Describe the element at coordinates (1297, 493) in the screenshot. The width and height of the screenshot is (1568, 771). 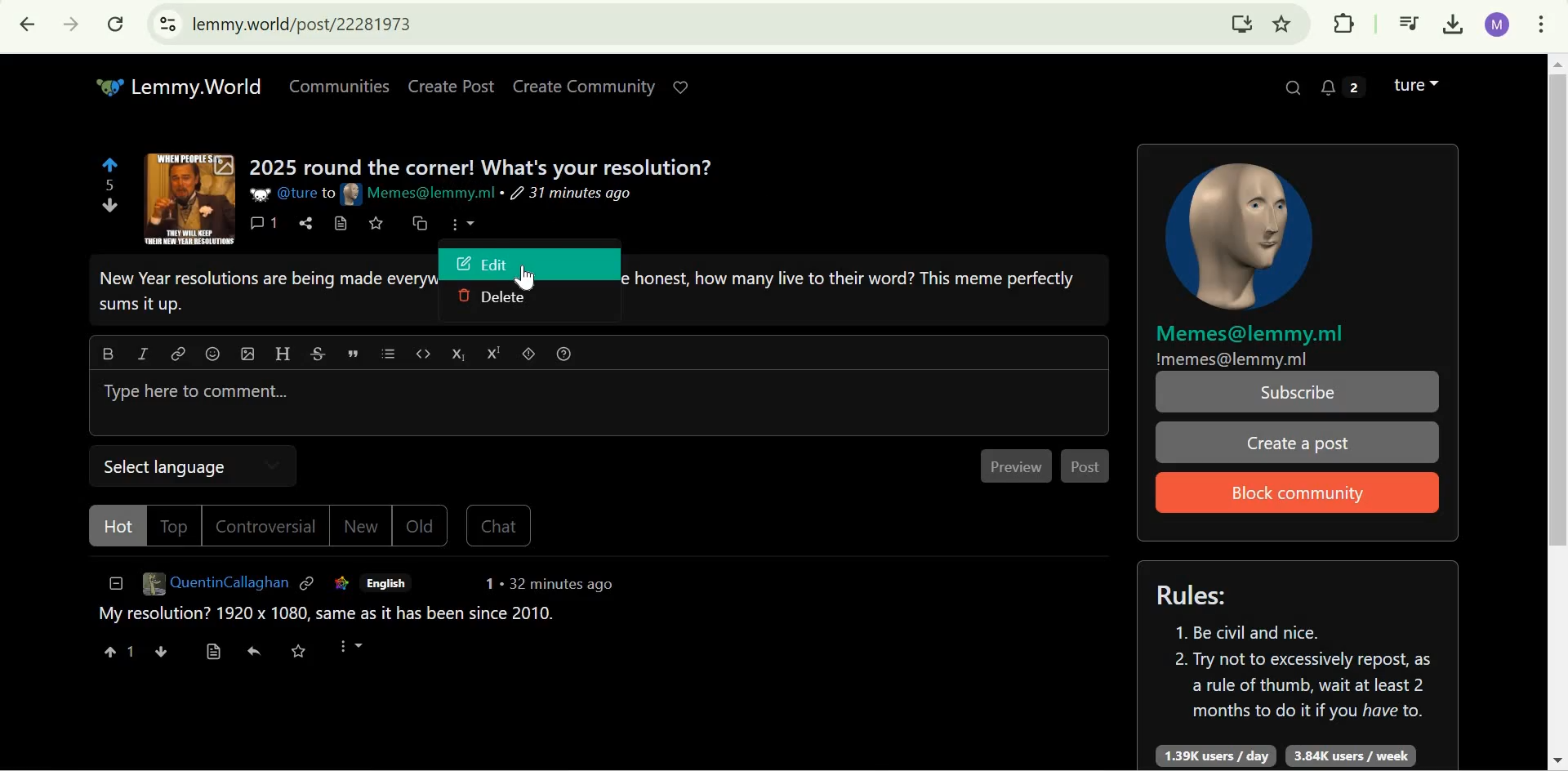
I see `Block Community` at that location.